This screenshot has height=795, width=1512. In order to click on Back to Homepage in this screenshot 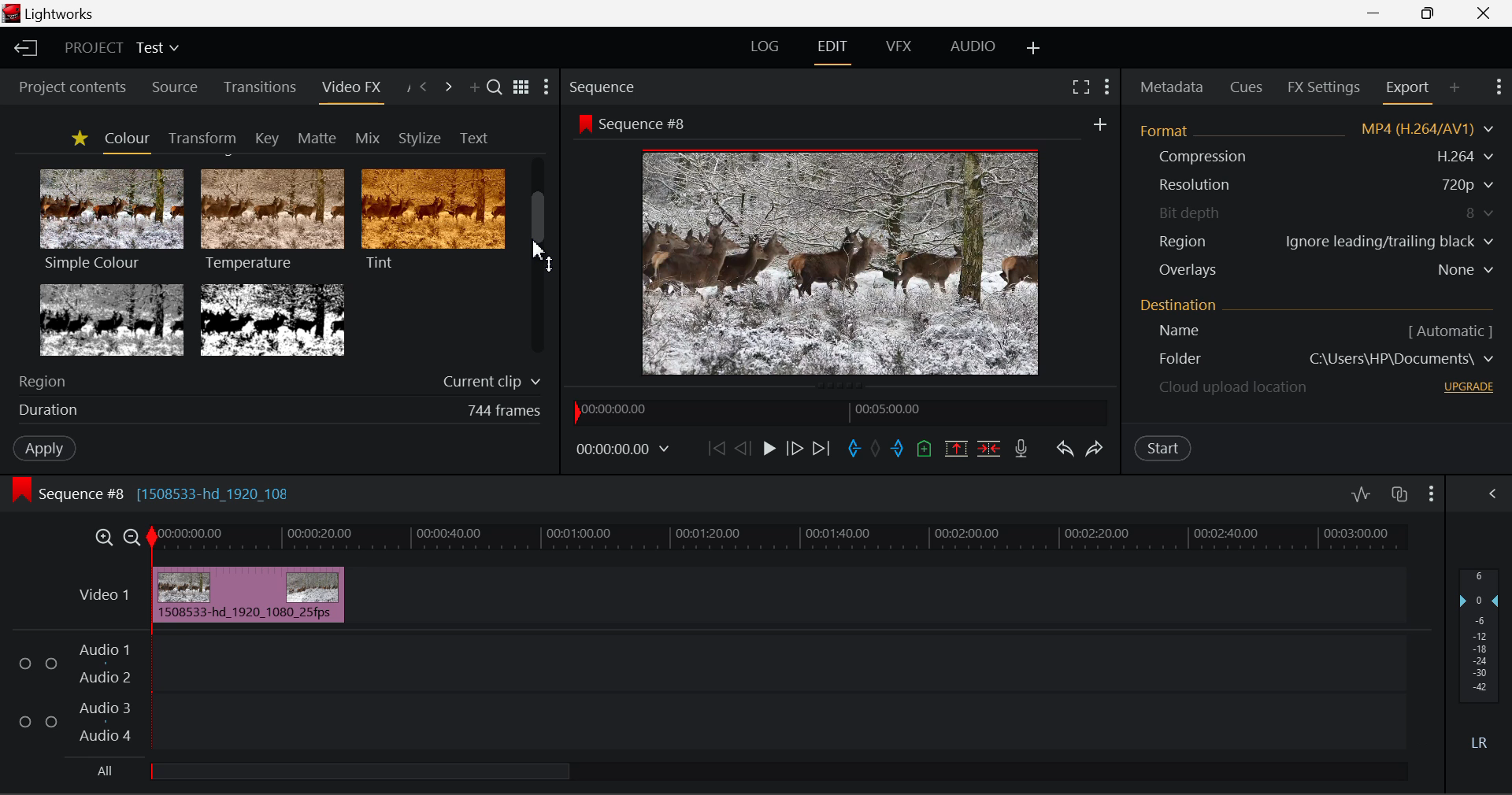, I will do `click(24, 46)`.